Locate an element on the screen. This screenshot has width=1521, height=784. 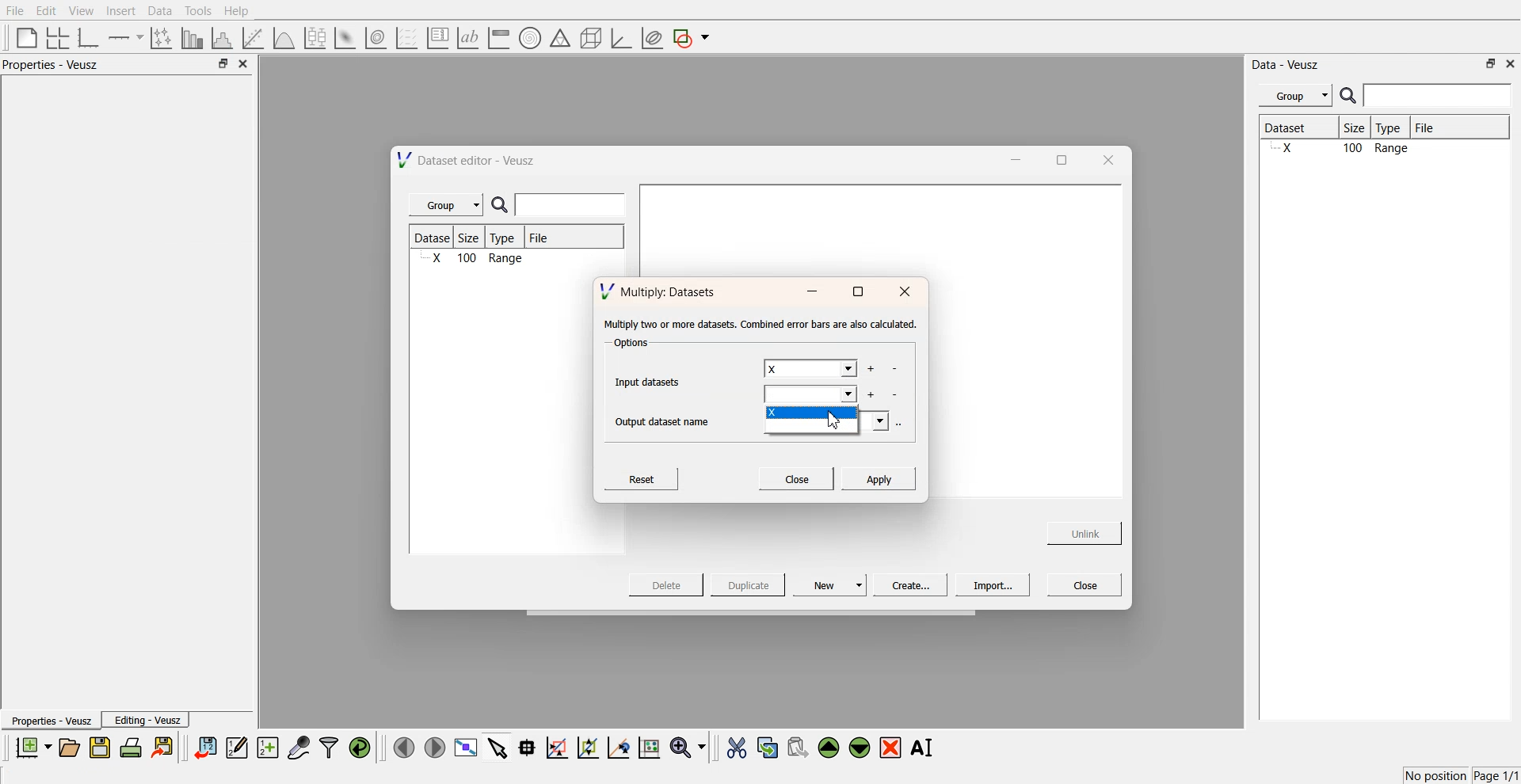
Group | is located at coordinates (448, 205).